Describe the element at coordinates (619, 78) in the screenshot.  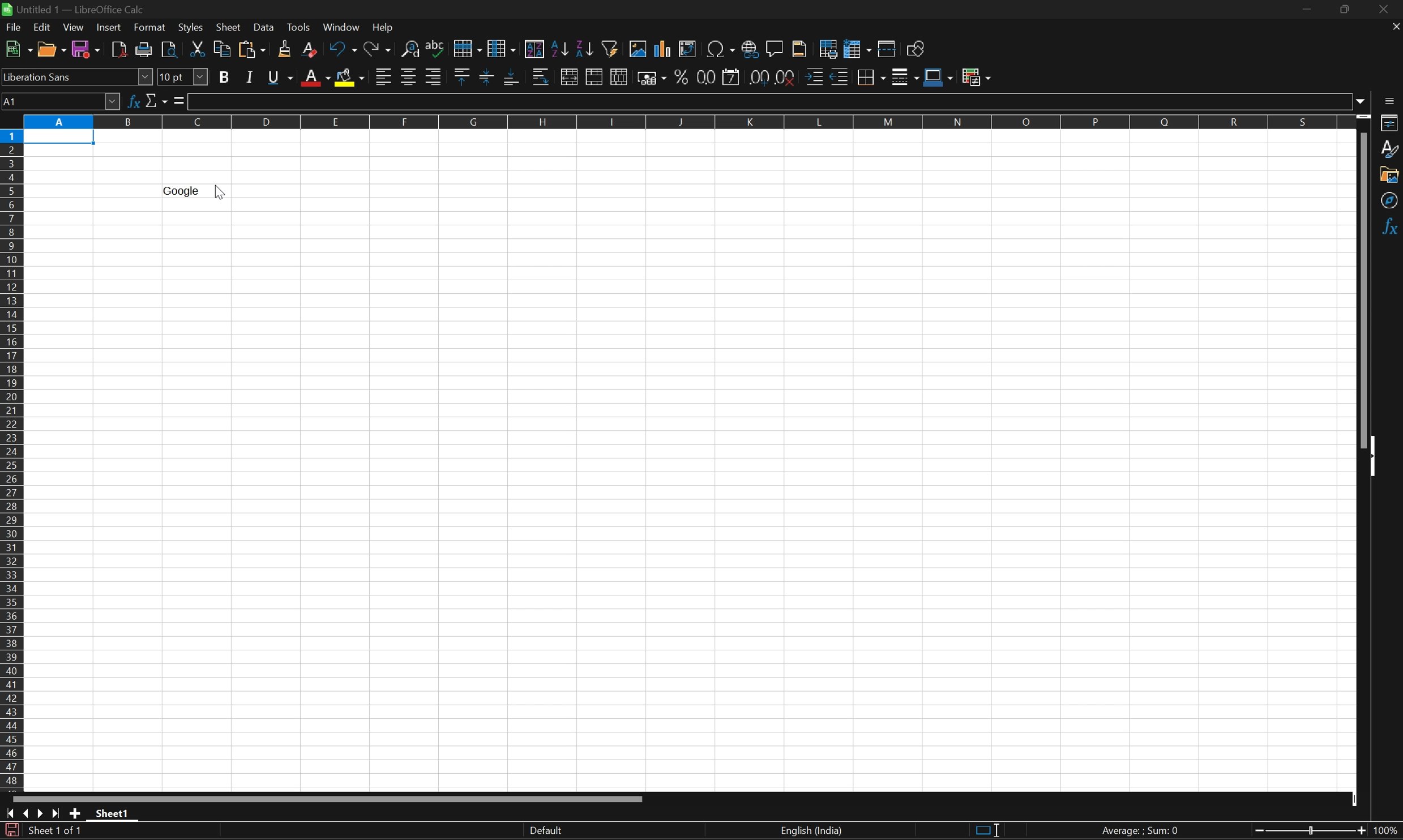
I see `Unmerge cells` at that location.